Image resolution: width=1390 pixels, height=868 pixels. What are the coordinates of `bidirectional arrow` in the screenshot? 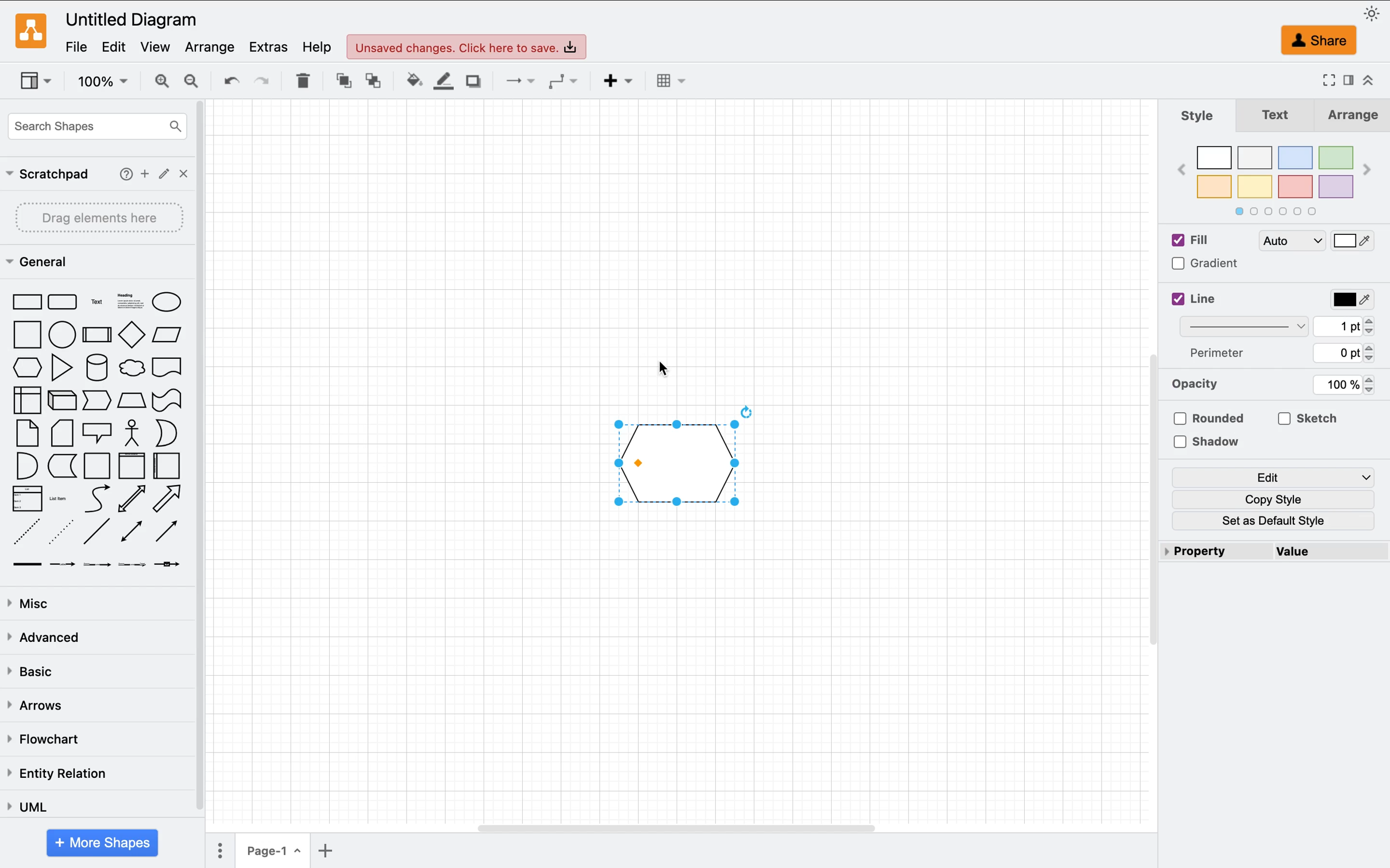 It's located at (132, 498).